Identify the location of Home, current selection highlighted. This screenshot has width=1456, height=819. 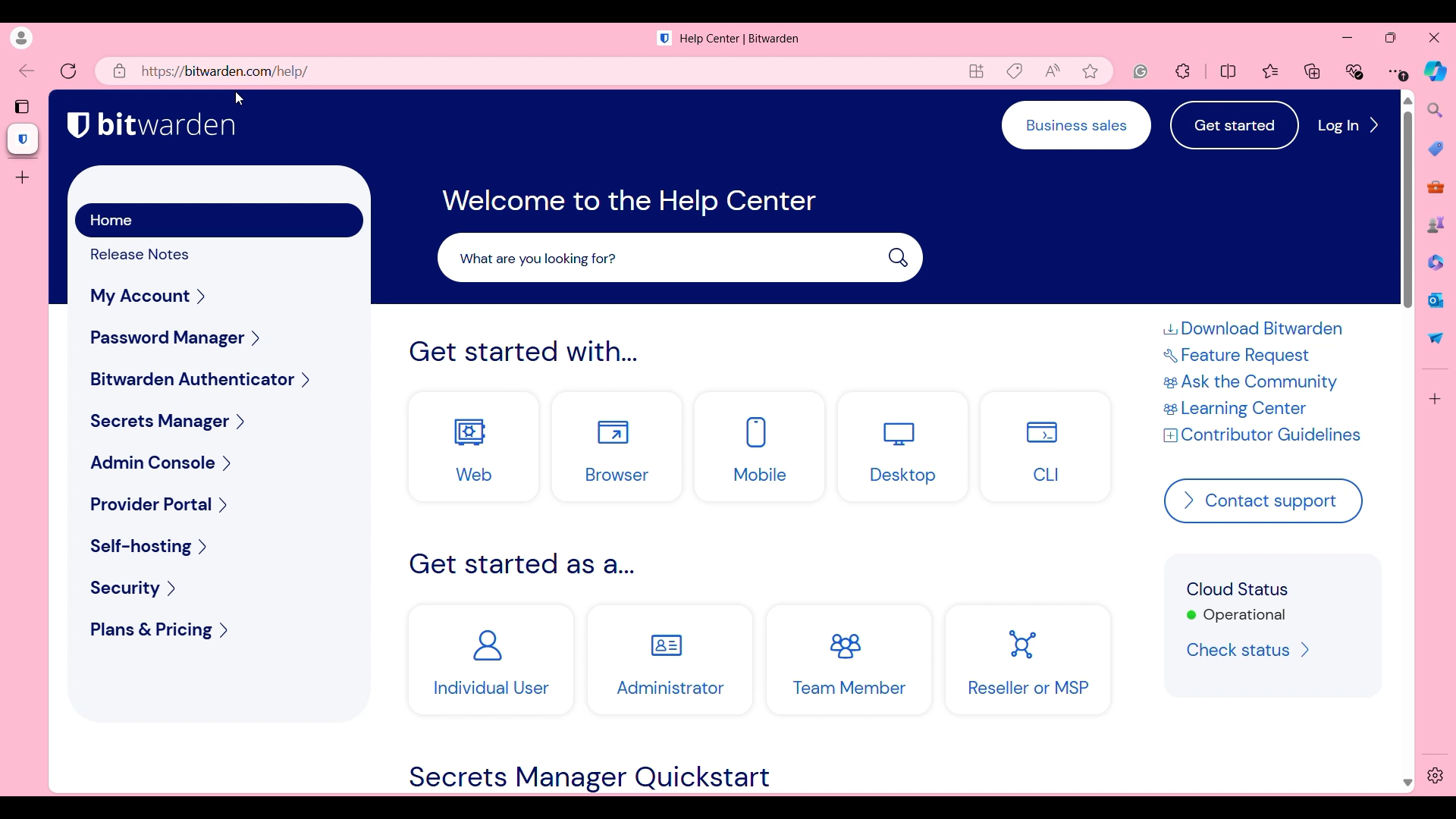
(219, 220).